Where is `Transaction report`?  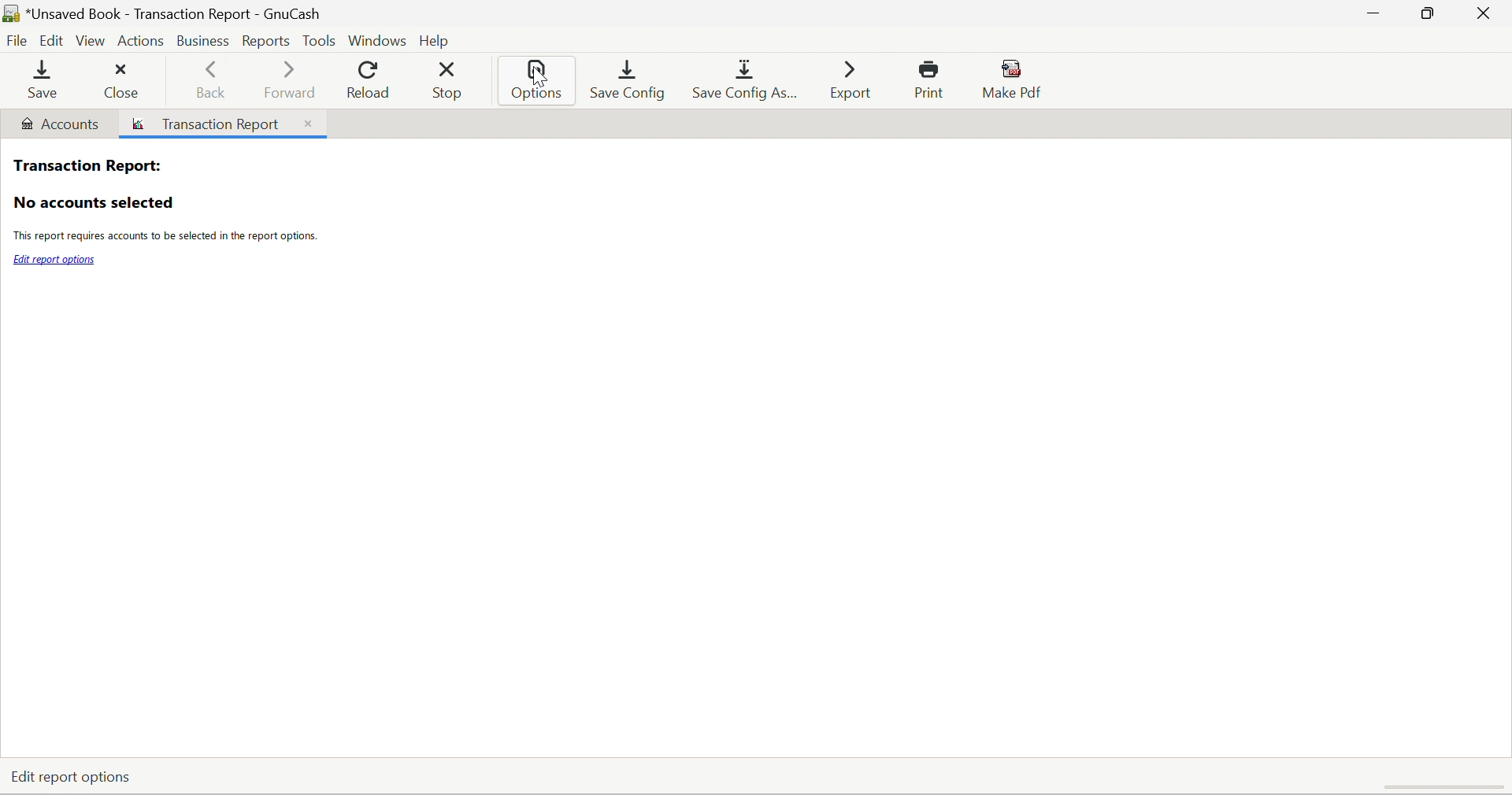
Transaction report is located at coordinates (210, 125).